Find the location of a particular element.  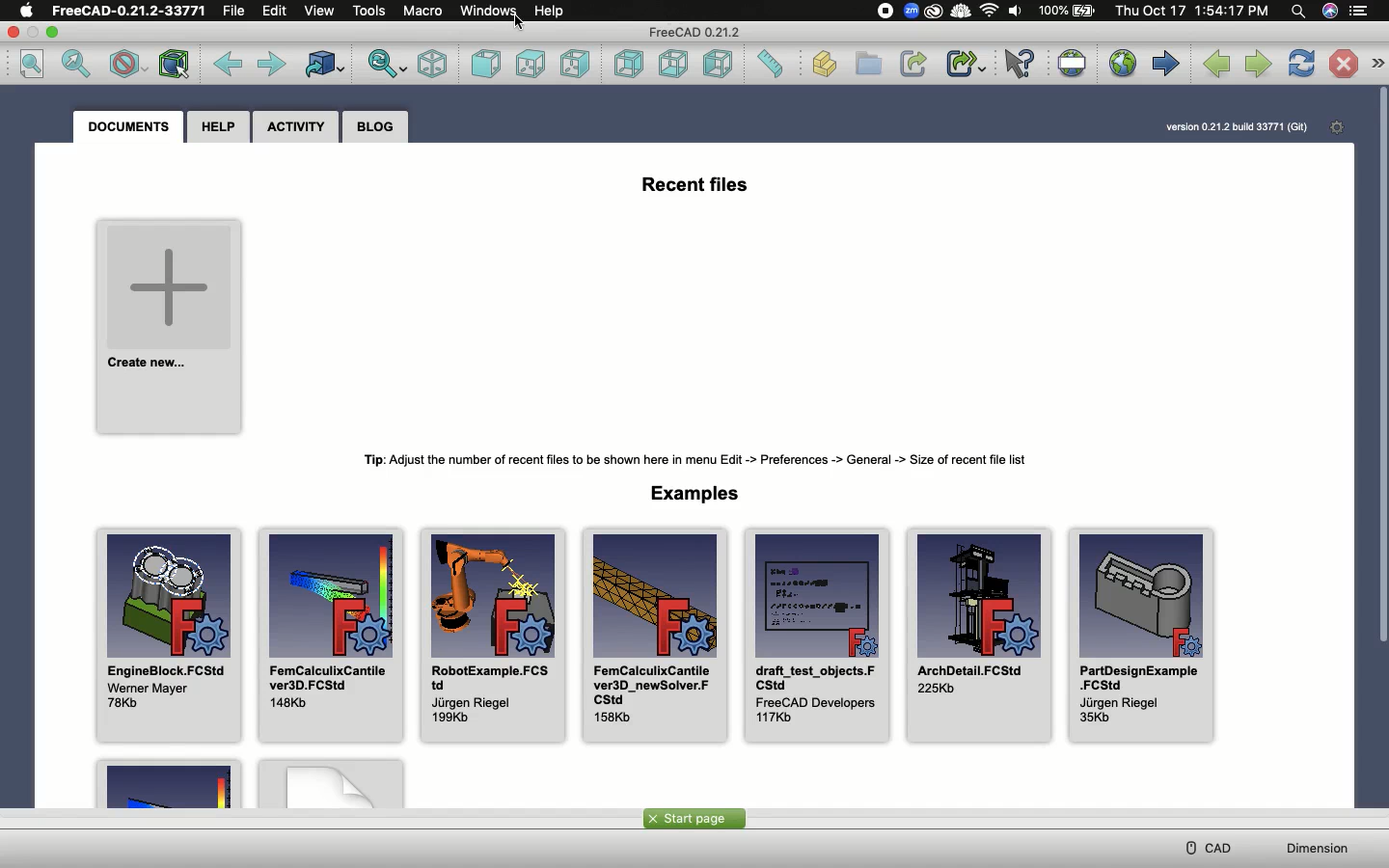

CAD menu is located at coordinates (1205, 848).